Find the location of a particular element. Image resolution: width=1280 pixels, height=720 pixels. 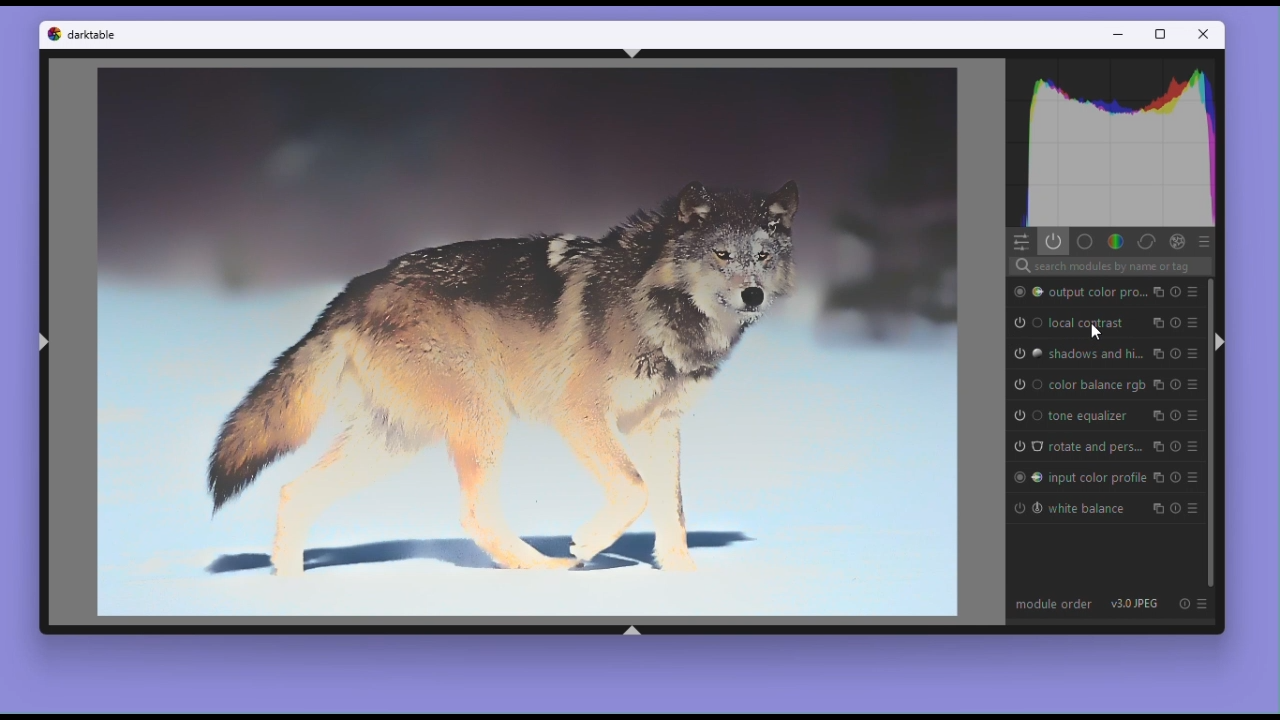

presets is located at coordinates (1190, 511).